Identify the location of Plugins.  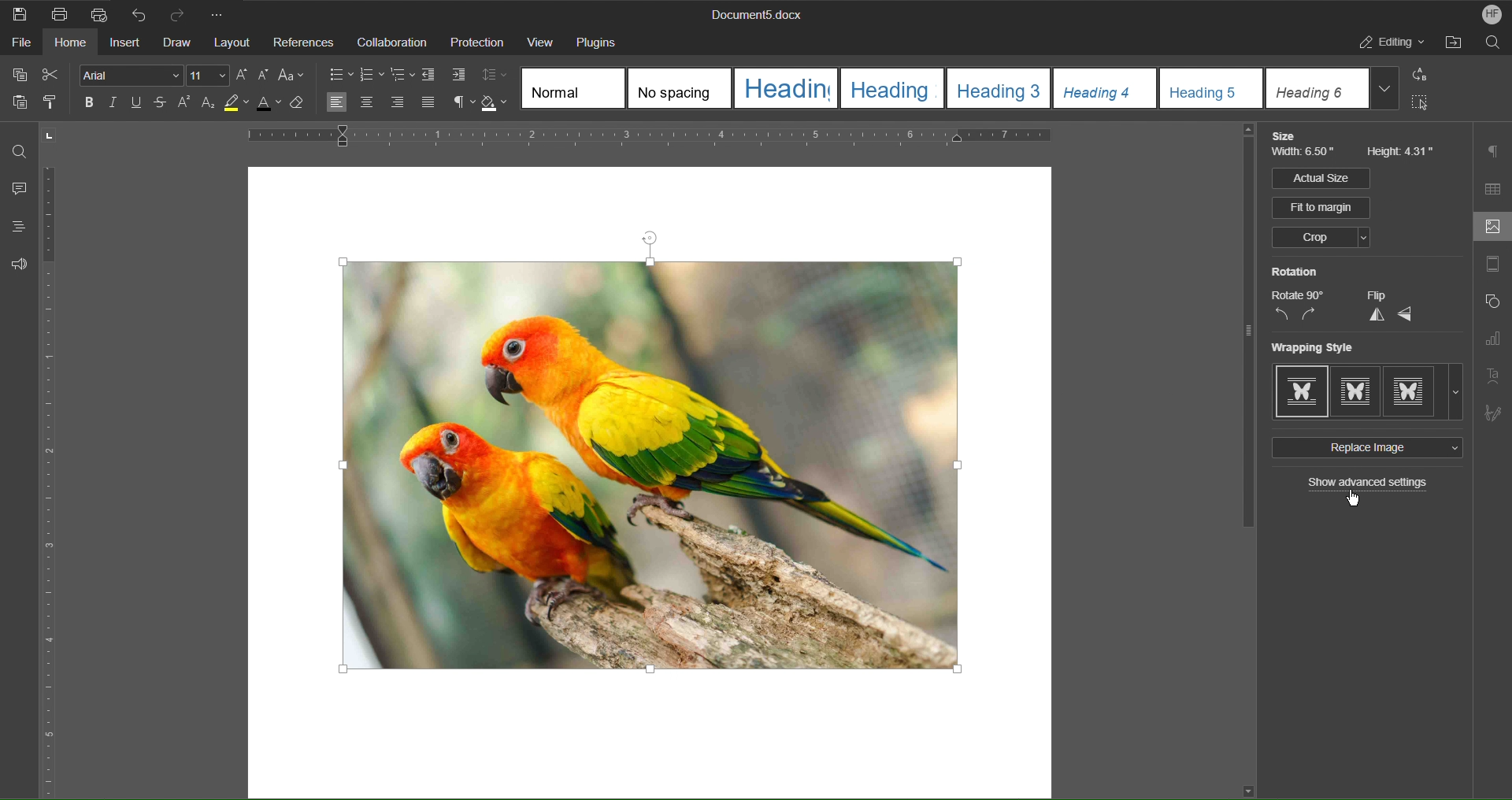
(602, 41).